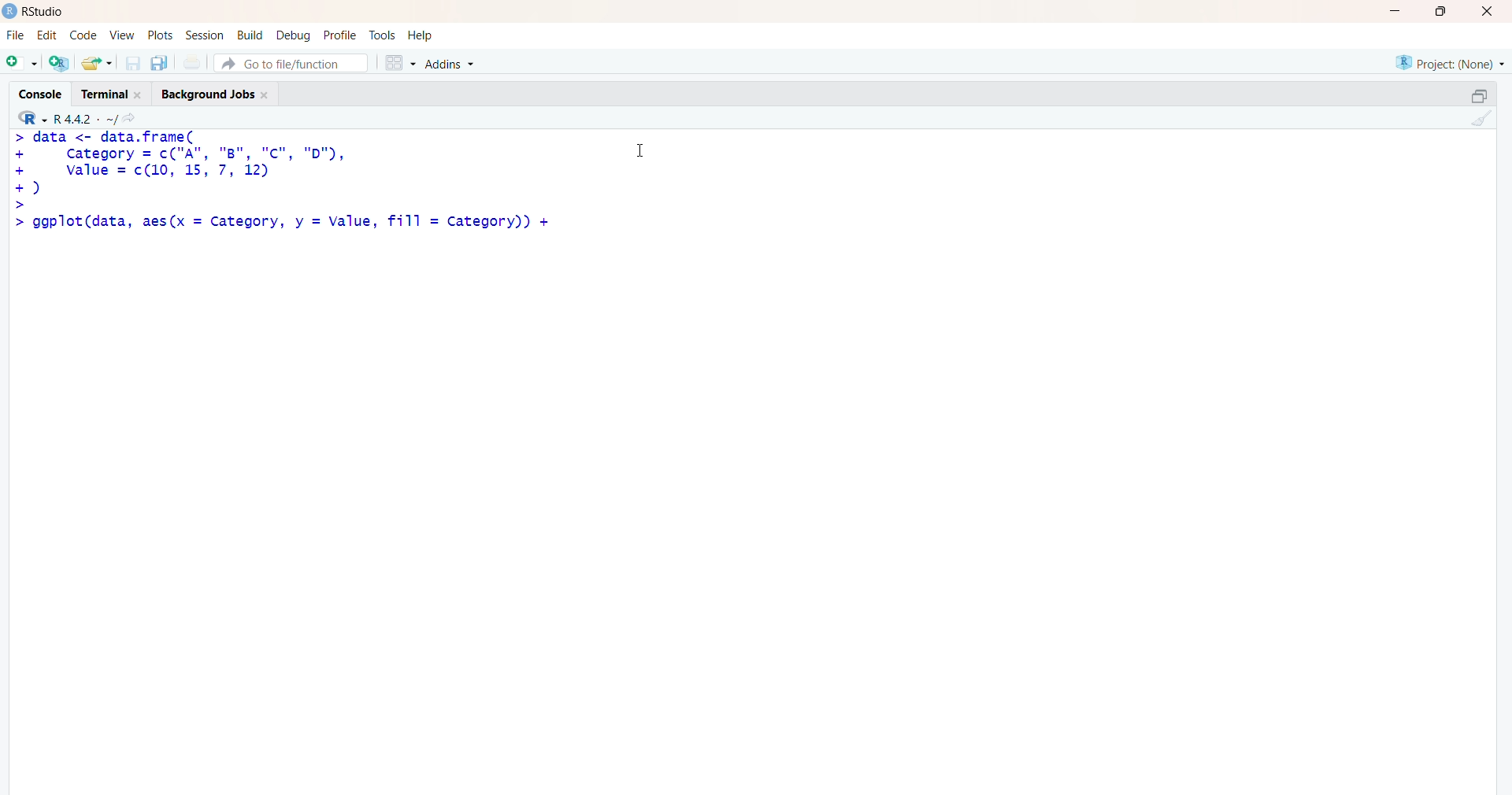 The image size is (1512, 795). Describe the element at coordinates (423, 35) in the screenshot. I see `help` at that location.